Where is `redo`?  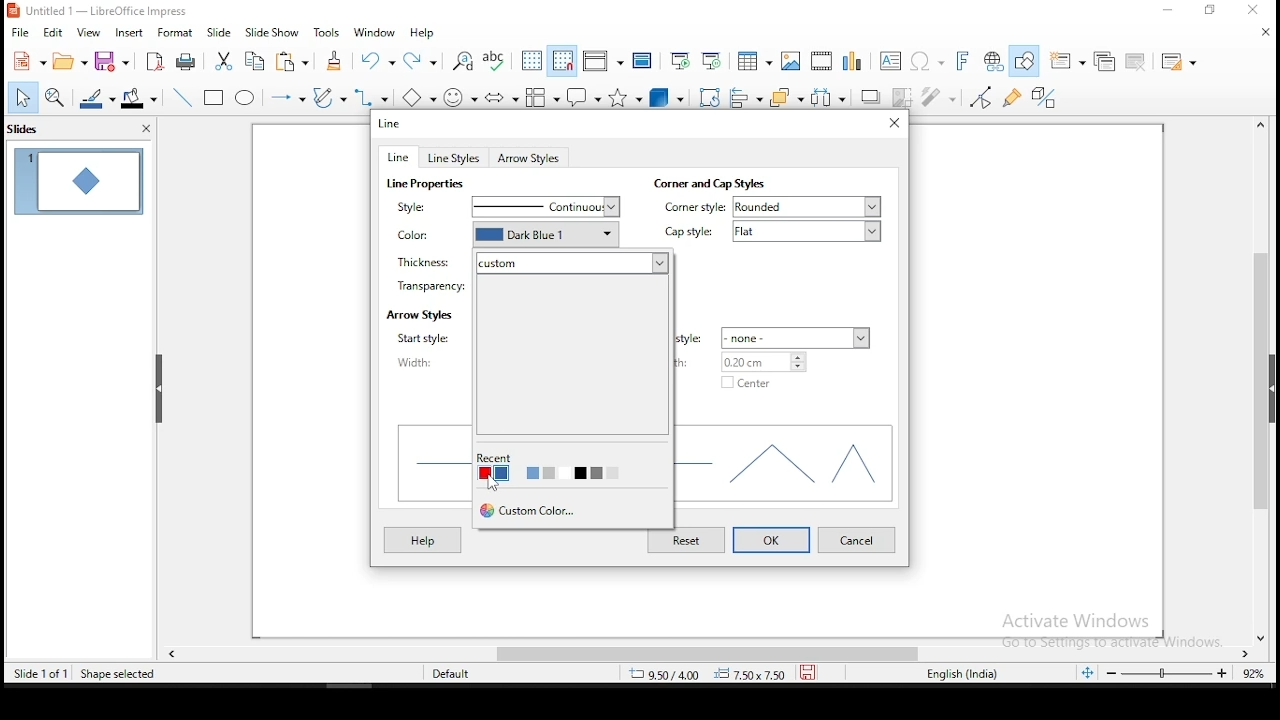
redo is located at coordinates (423, 59).